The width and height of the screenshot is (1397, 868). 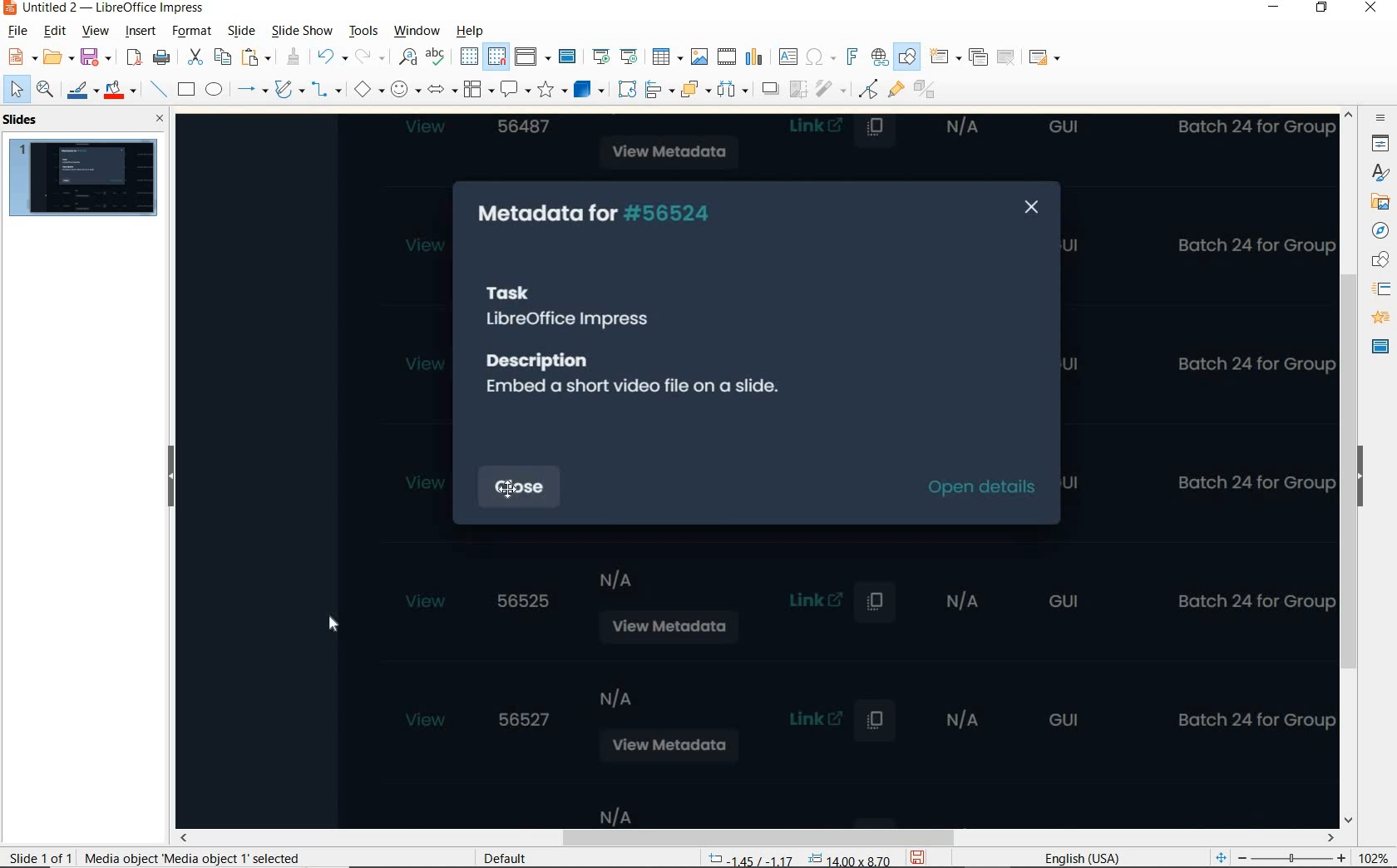 I want to click on TOGGLE EXTRUSION, so click(x=926, y=91).